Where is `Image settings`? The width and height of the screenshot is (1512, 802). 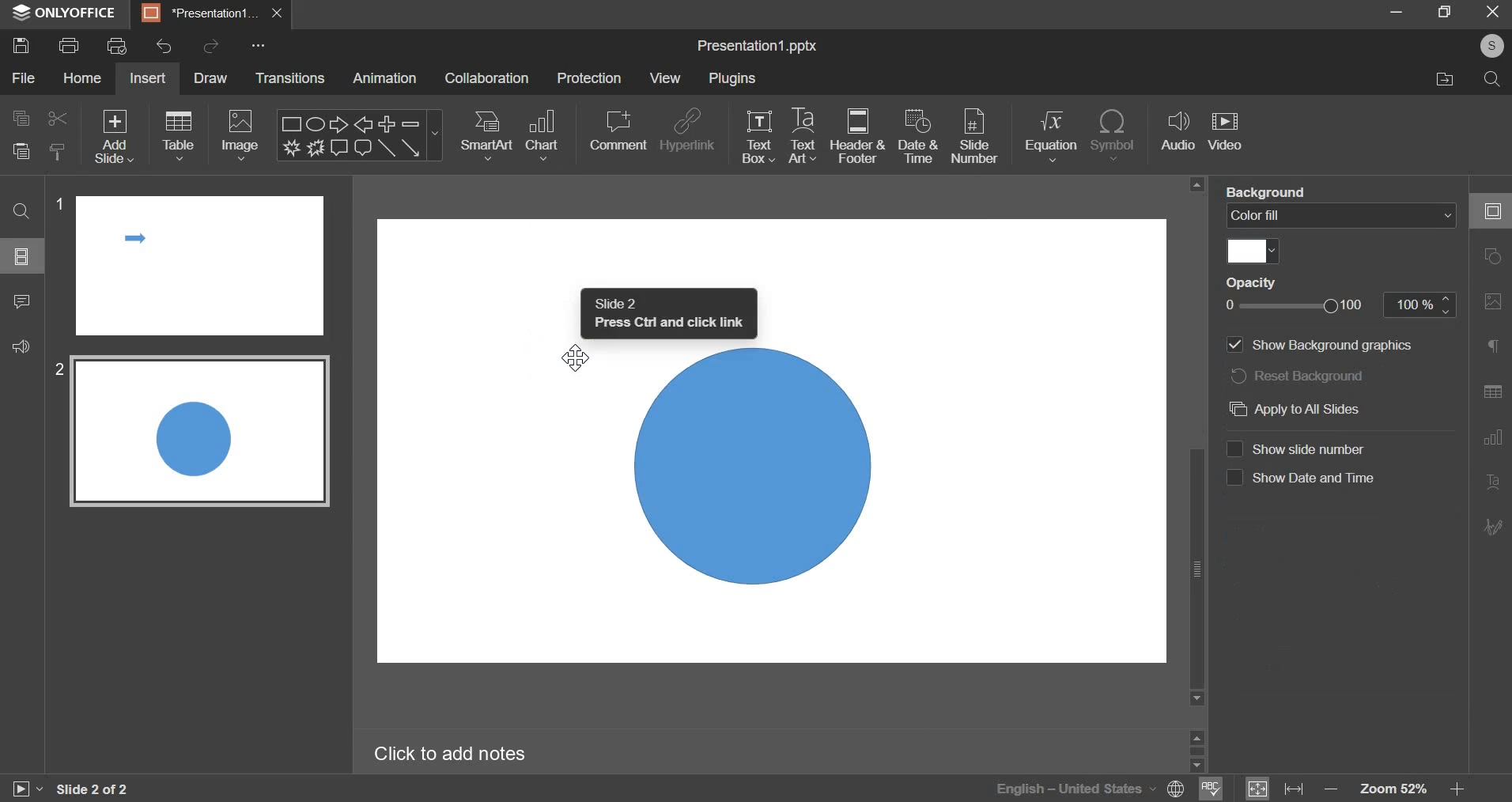
Image settings is located at coordinates (1494, 304).